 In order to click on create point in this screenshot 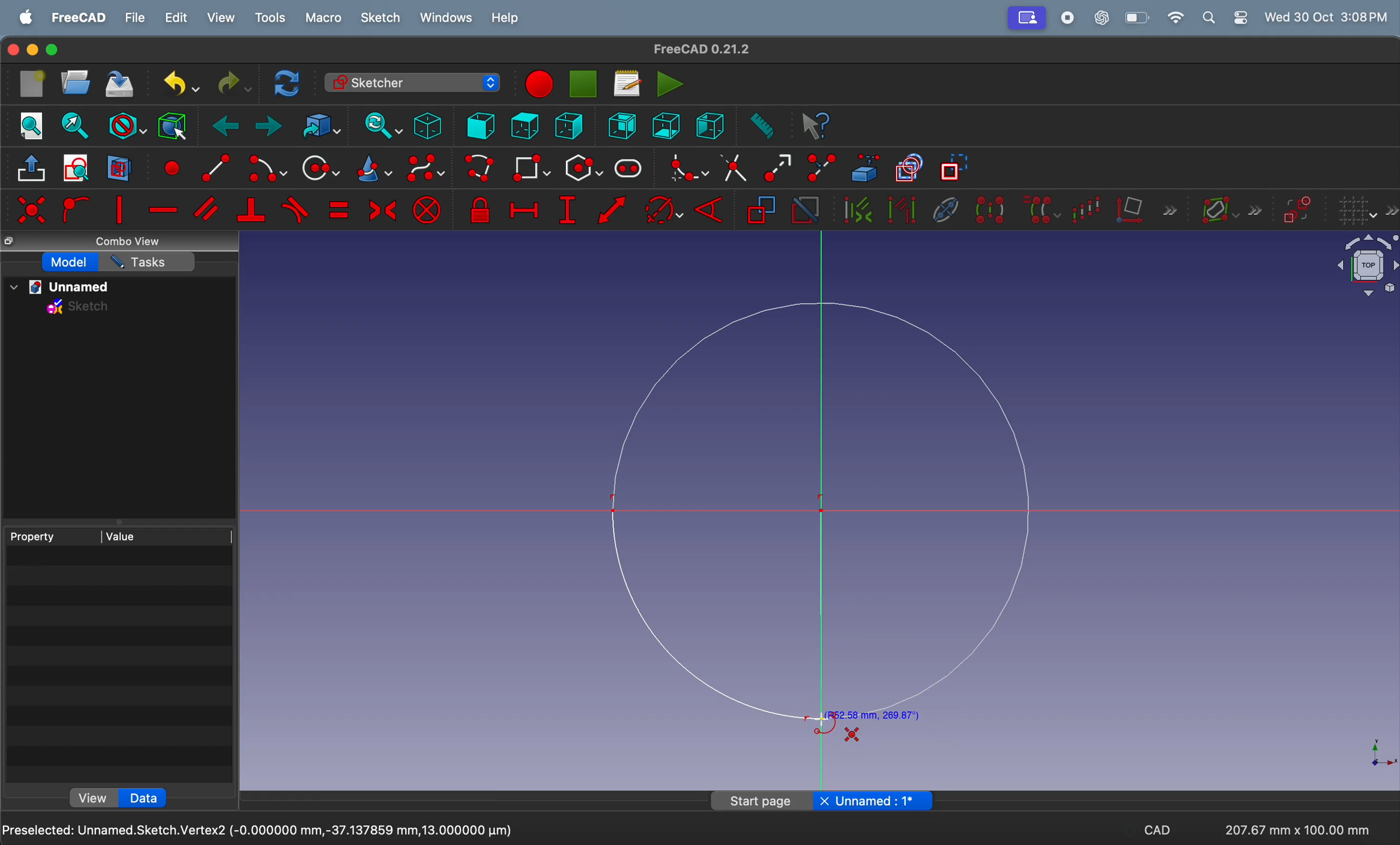, I will do `click(170, 166)`.